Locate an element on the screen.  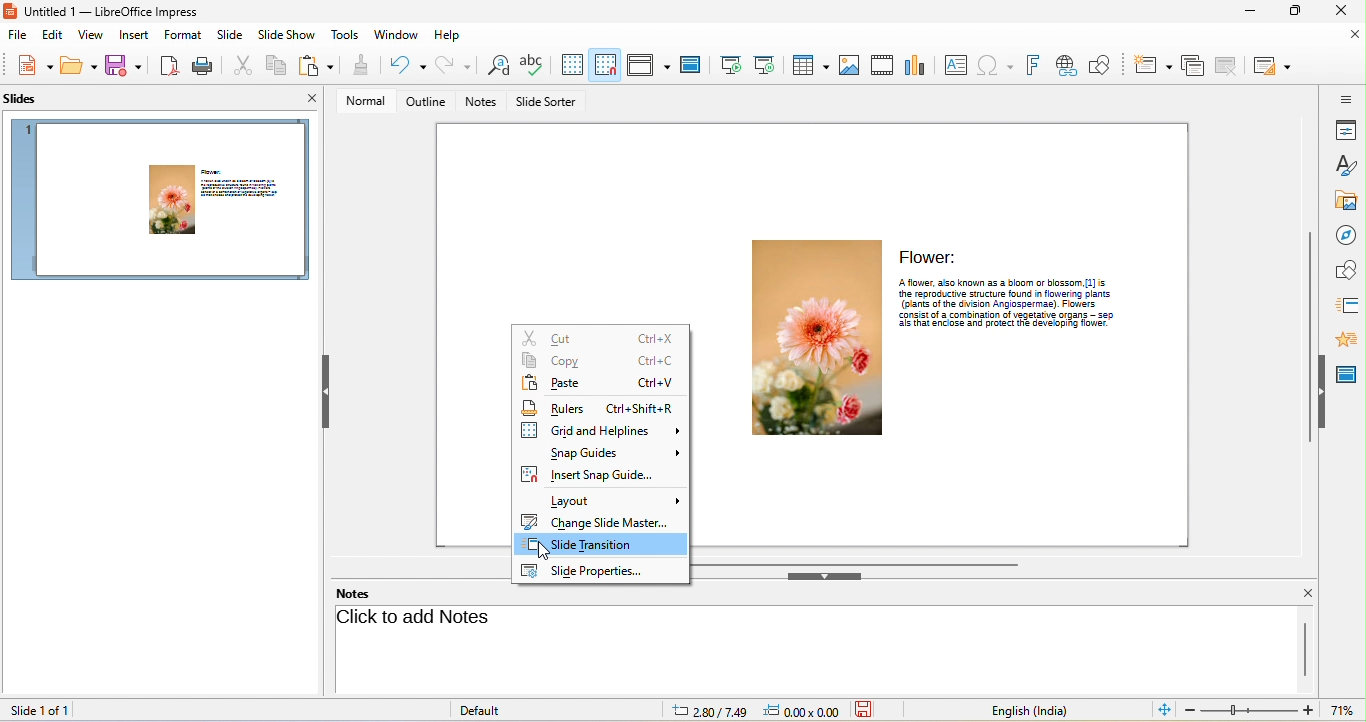
show draw function is located at coordinates (1103, 64).